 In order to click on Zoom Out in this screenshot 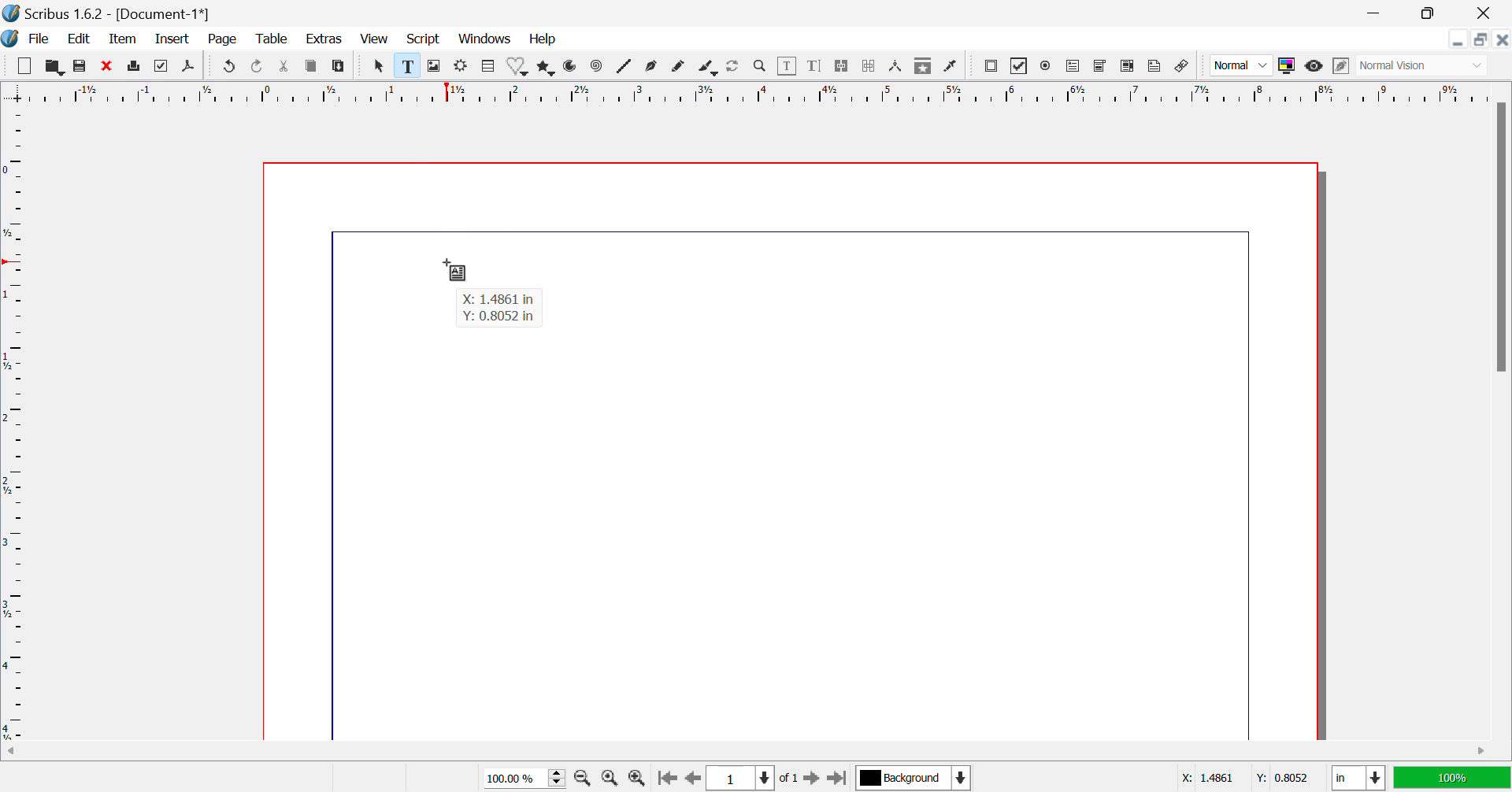, I will do `click(584, 779)`.